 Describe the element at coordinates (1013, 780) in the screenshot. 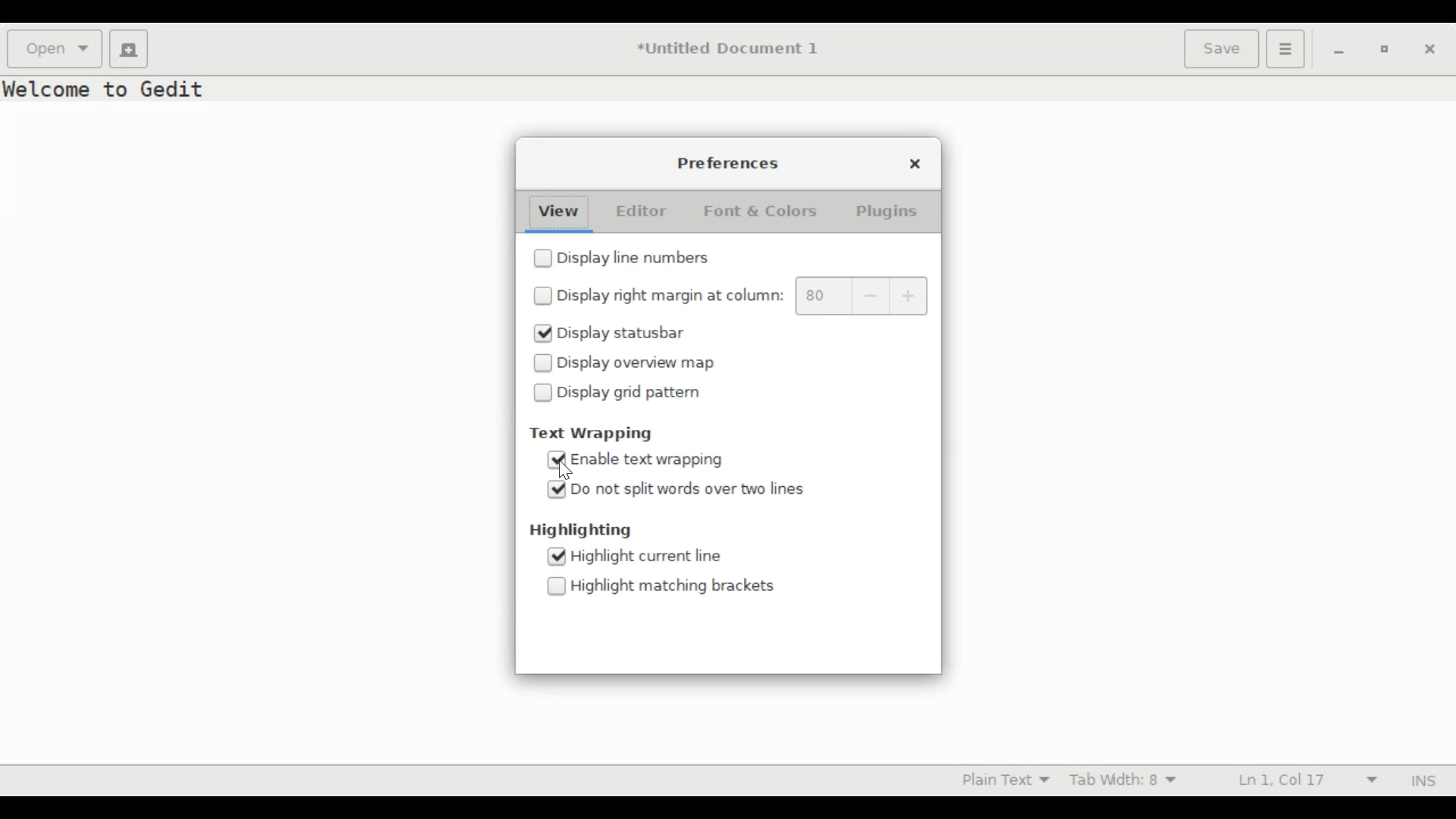

I see `Highlight Mode dropdown menu` at that location.